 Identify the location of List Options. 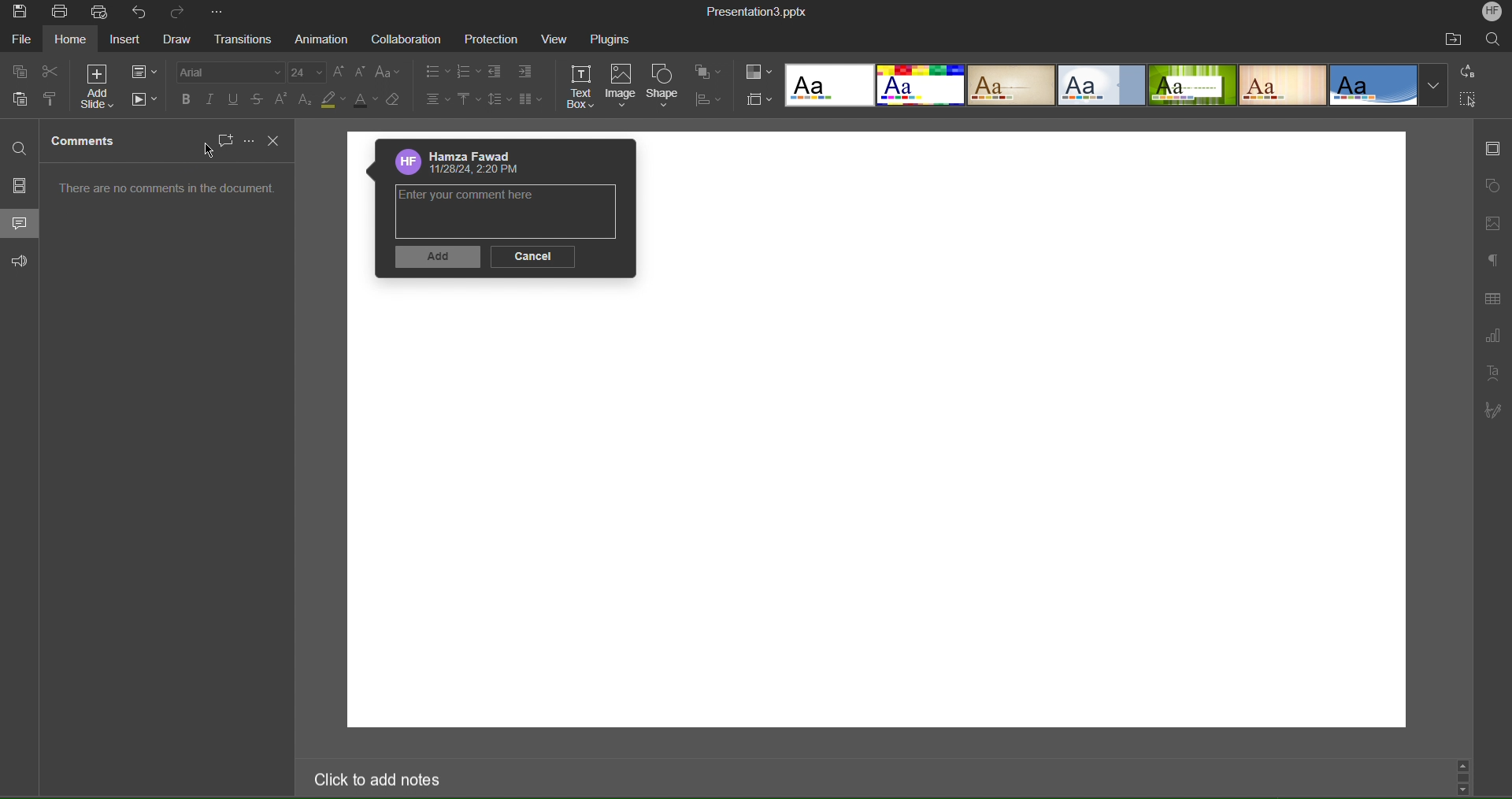
(435, 72).